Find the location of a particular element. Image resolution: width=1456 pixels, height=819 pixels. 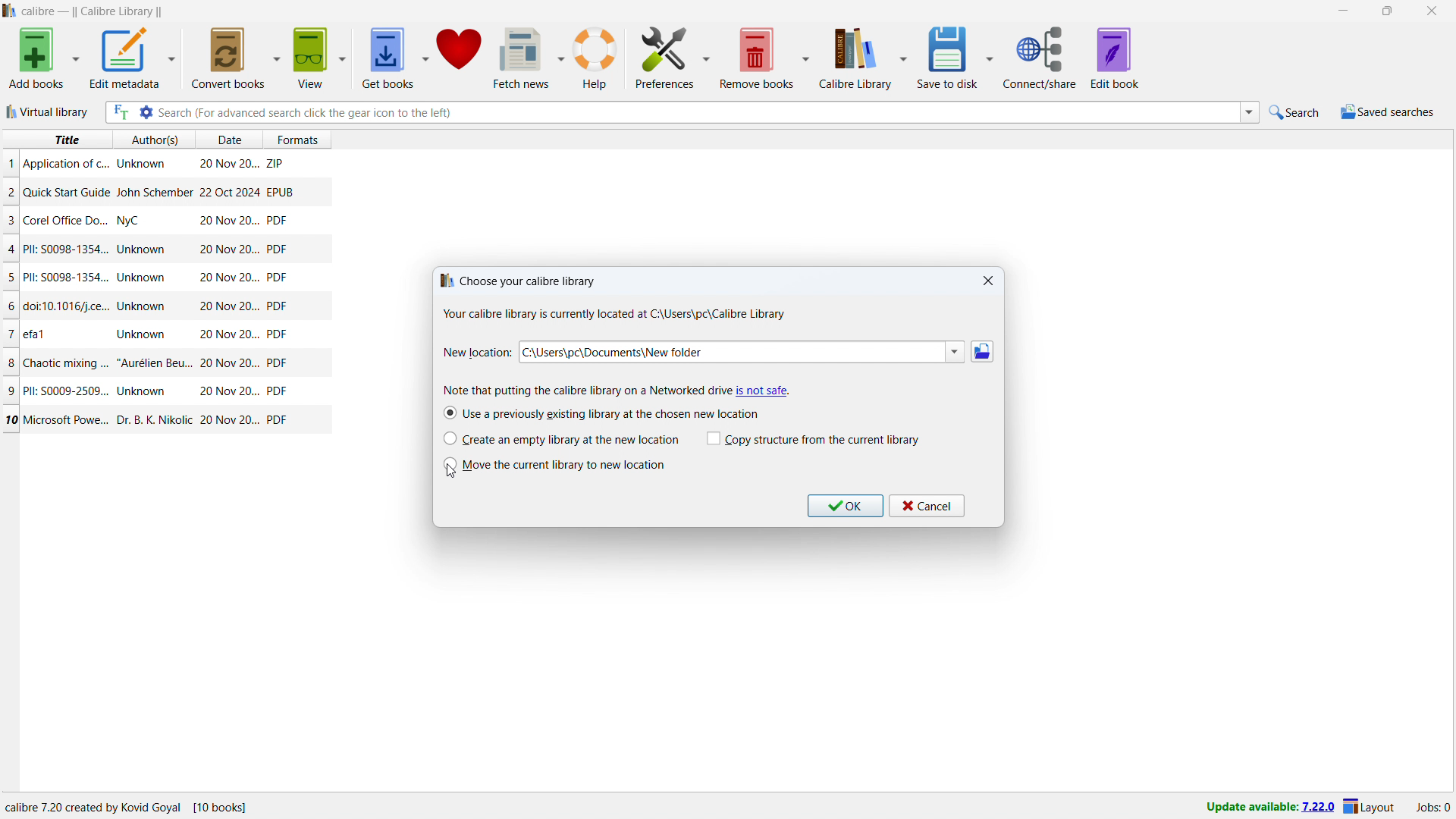

edit book is located at coordinates (1116, 58).